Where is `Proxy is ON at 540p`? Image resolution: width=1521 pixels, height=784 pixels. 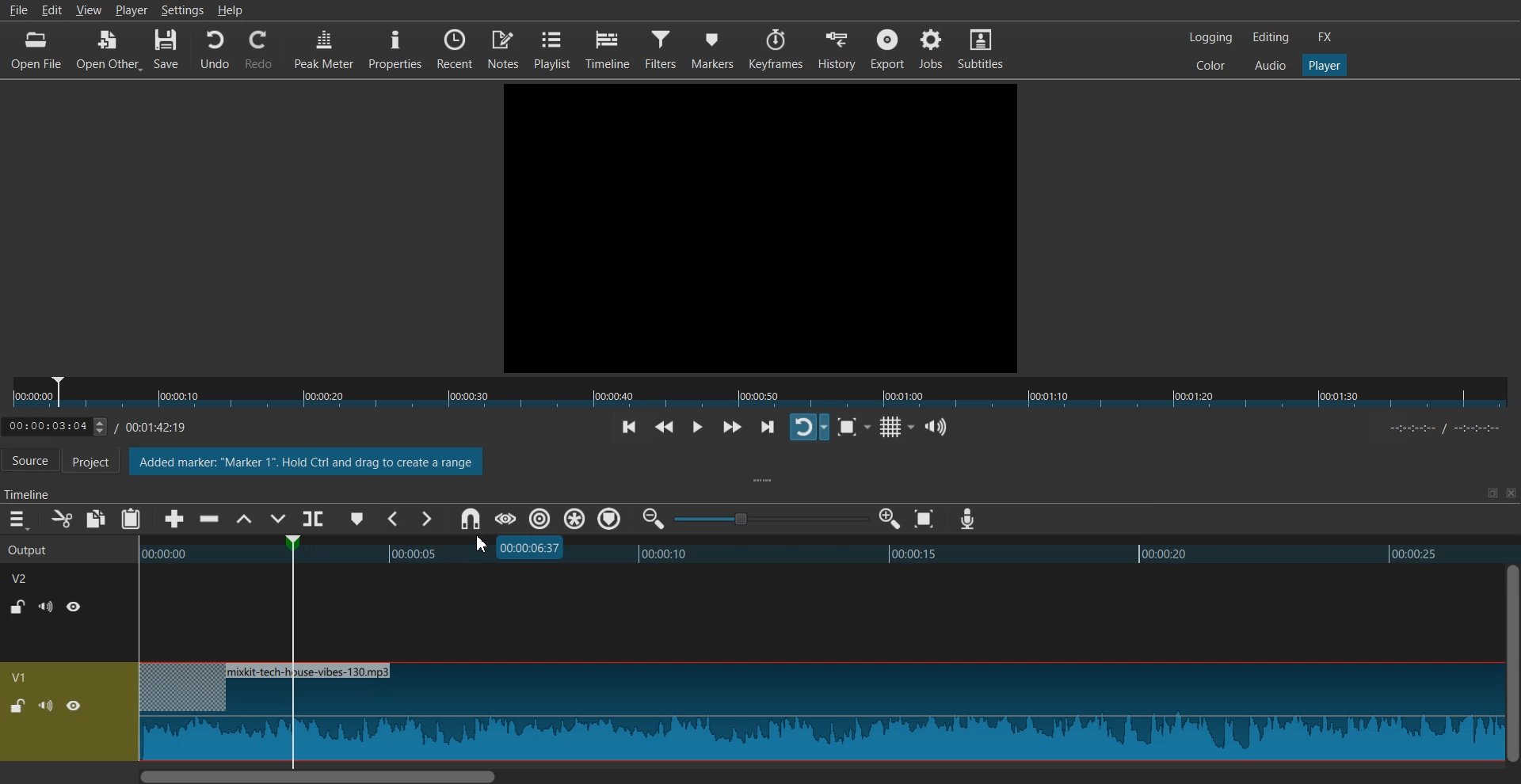 Proxy is ON at 540p is located at coordinates (202, 464).